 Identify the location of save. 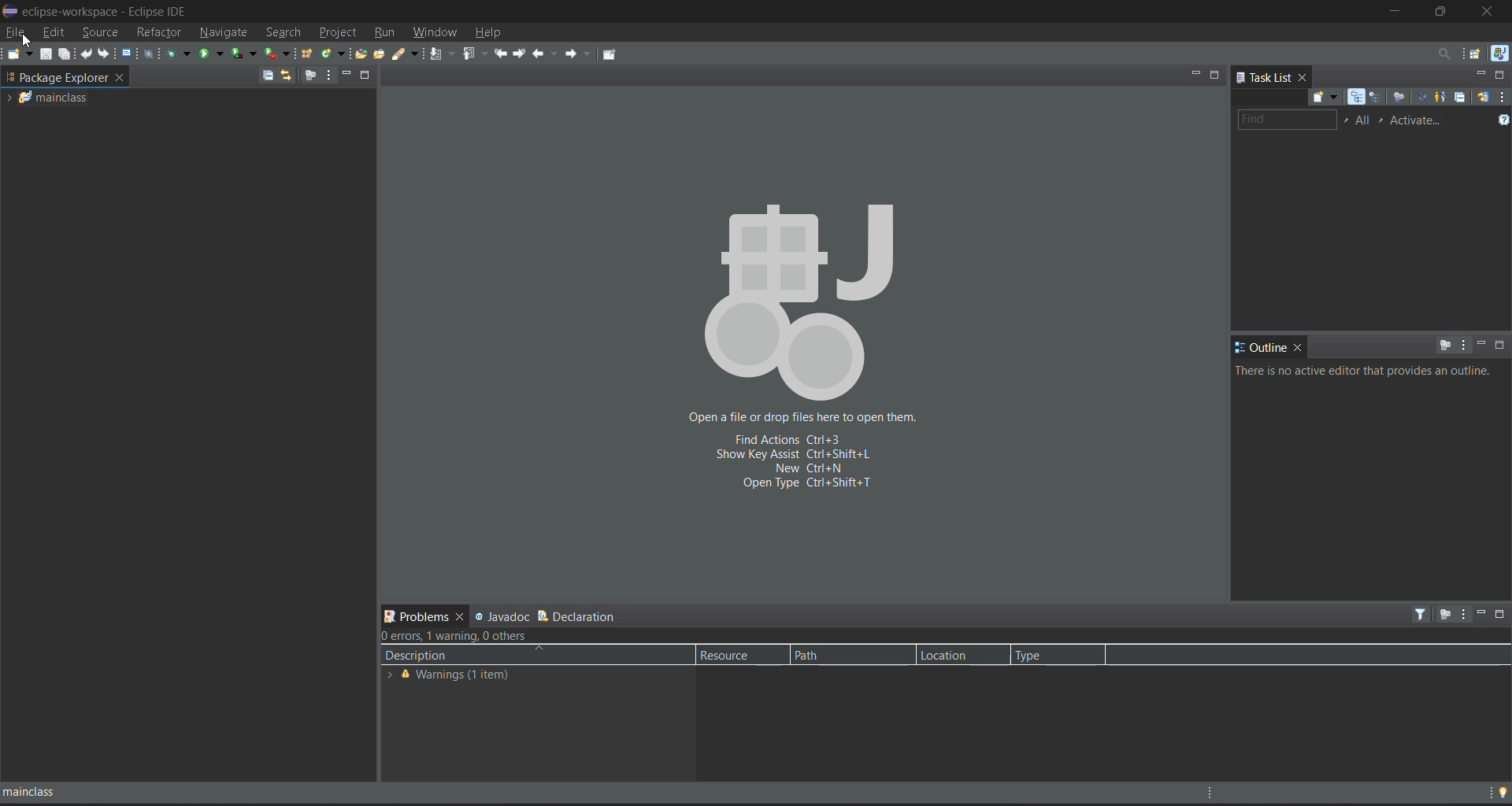
(46, 54).